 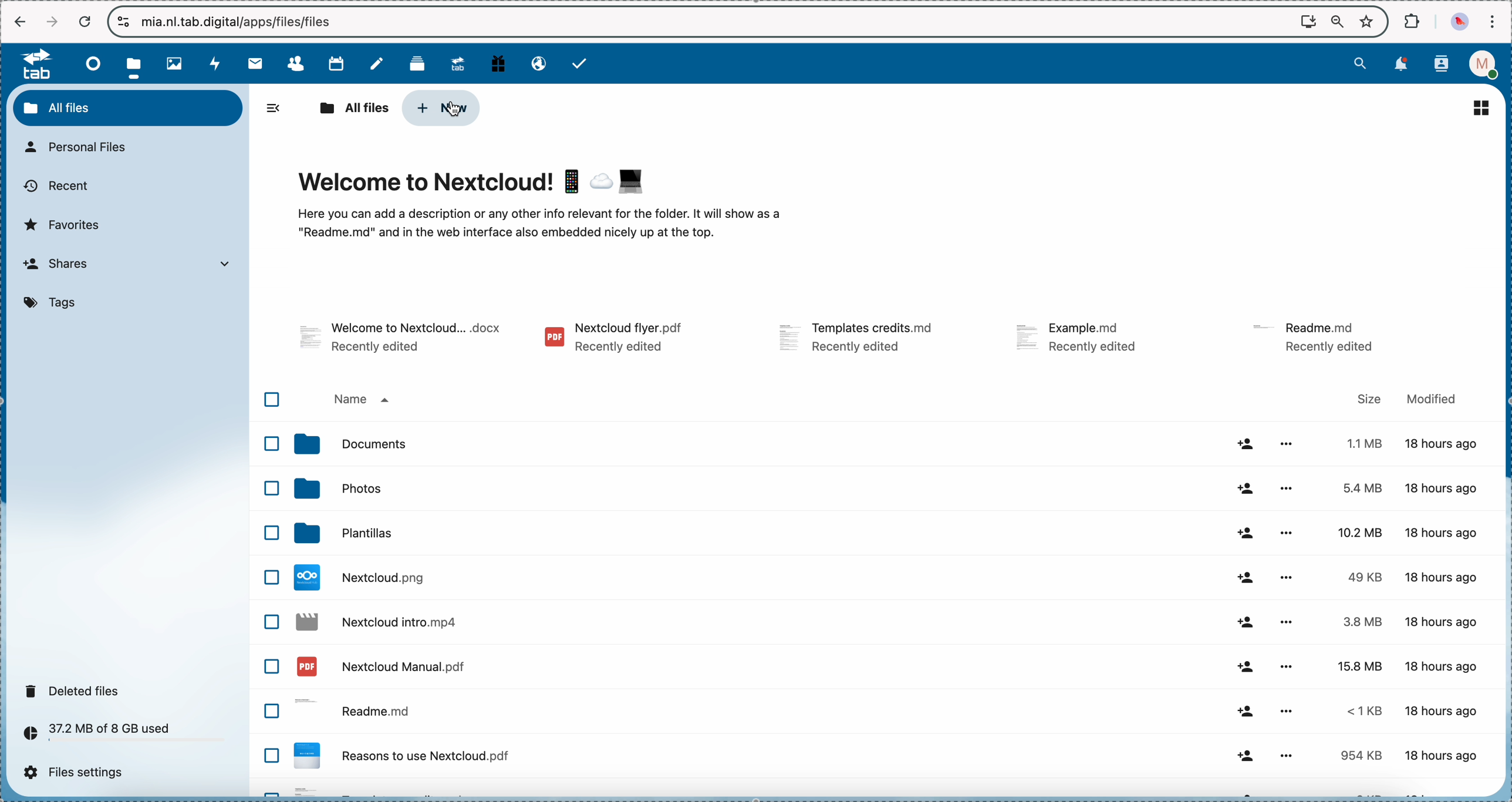 I want to click on deck, so click(x=420, y=62).